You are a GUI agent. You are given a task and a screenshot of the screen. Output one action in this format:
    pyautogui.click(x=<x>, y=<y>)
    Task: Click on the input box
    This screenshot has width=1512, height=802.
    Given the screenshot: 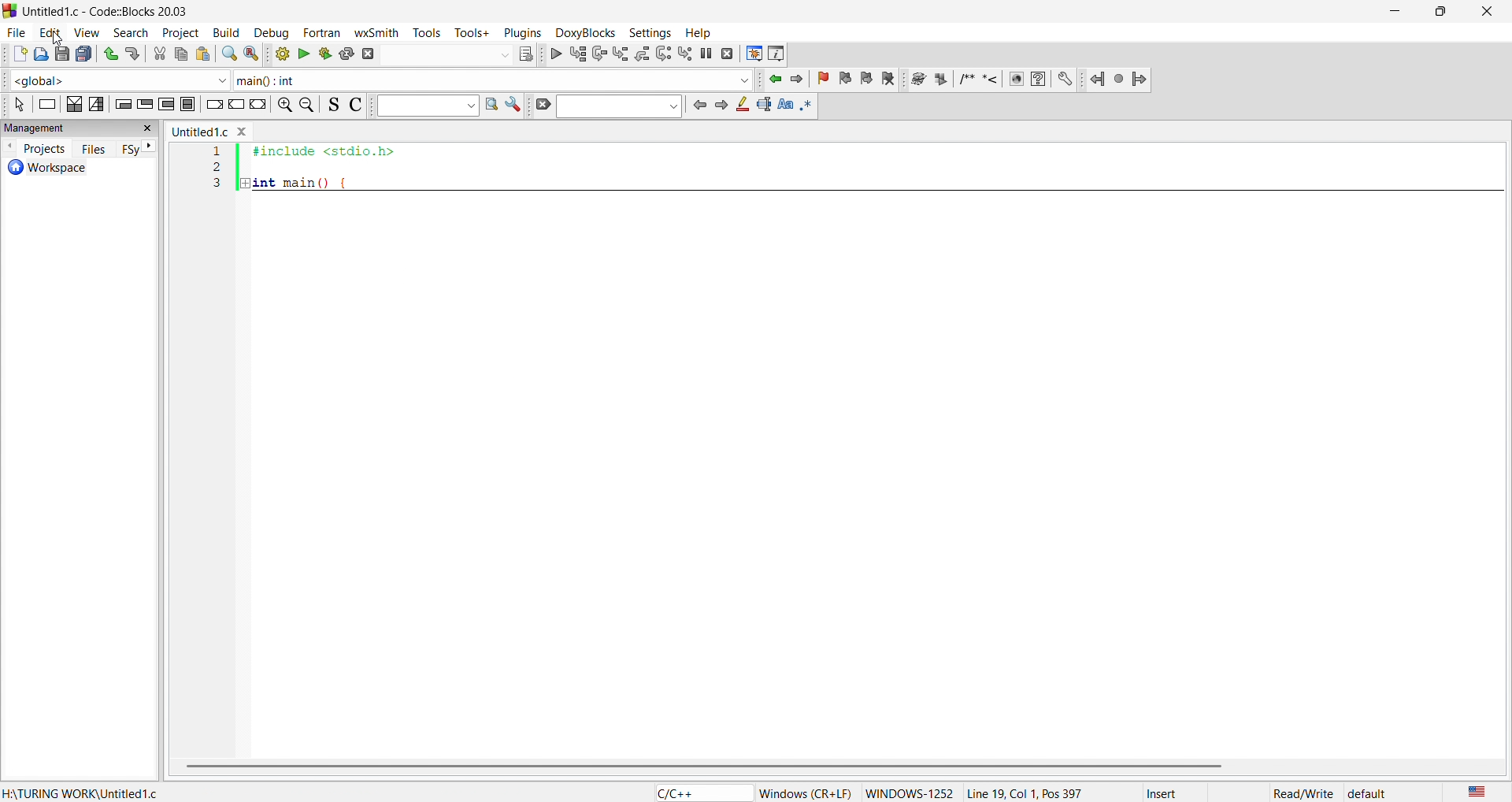 What is the action you would take?
    pyautogui.click(x=446, y=53)
    